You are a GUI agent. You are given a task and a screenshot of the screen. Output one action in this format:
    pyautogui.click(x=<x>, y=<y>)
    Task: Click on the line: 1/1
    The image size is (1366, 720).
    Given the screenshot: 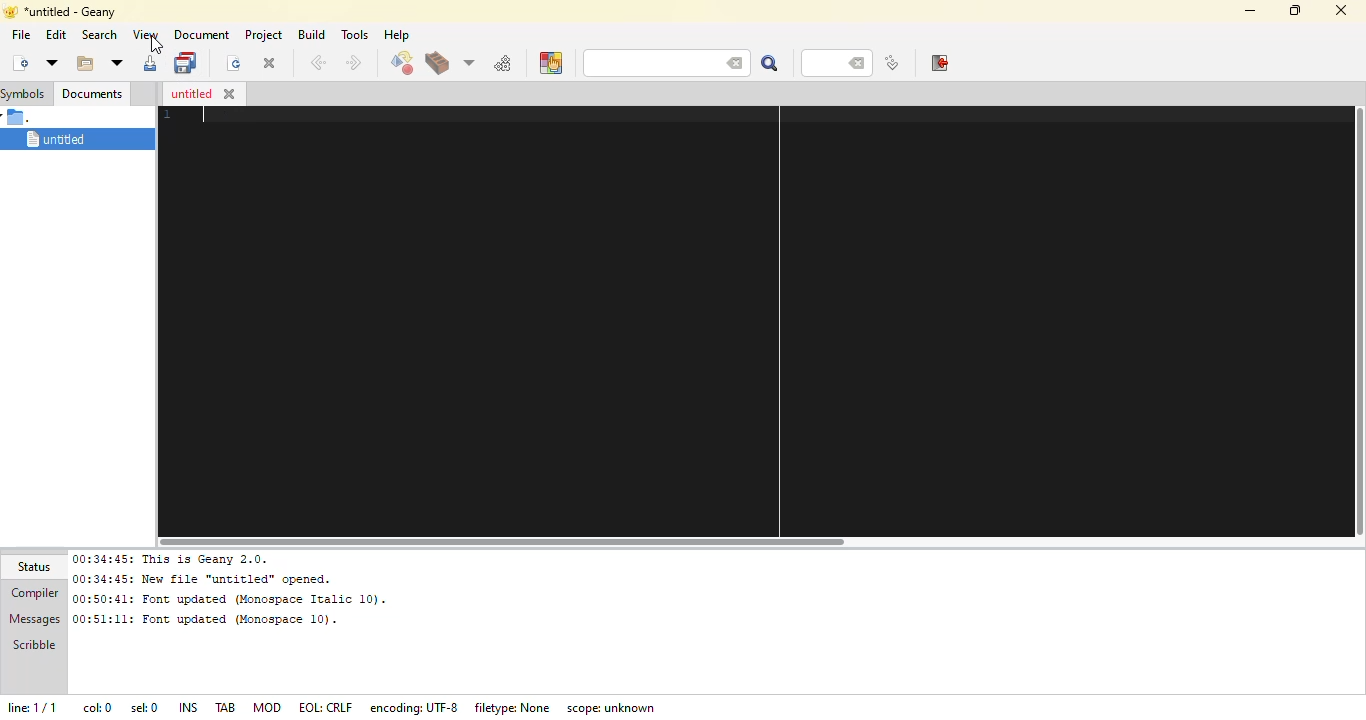 What is the action you would take?
    pyautogui.click(x=37, y=706)
    